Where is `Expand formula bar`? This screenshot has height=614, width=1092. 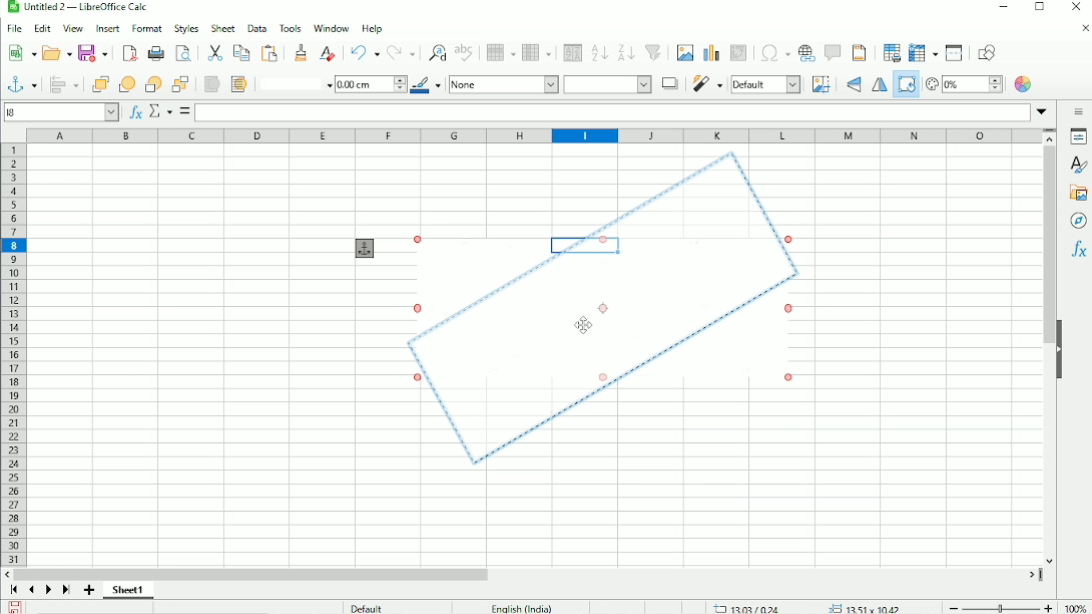 Expand formula bar is located at coordinates (1042, 110).